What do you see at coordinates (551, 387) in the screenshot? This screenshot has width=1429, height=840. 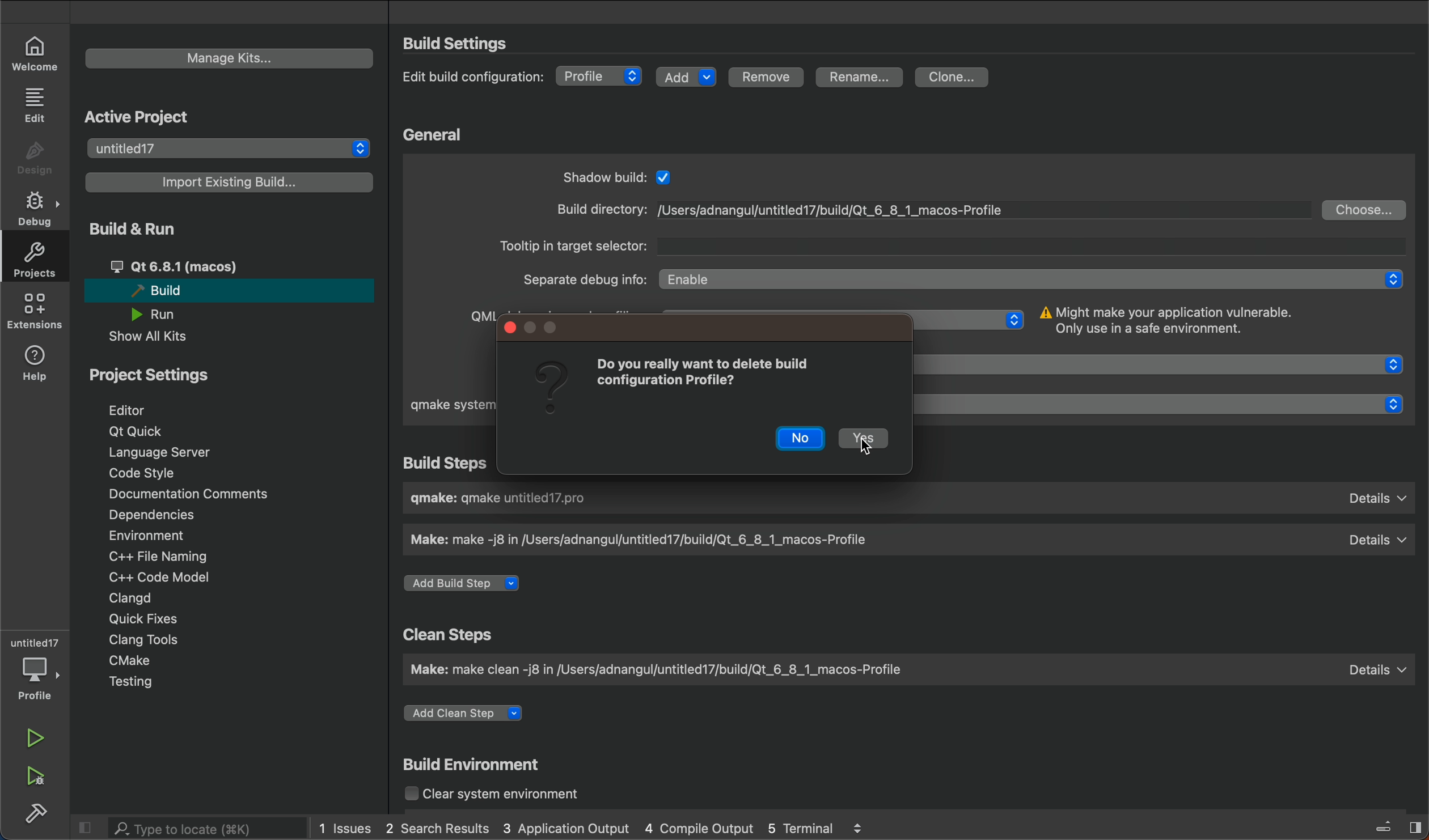 I see `question mark` at bounding box center [551, 387].